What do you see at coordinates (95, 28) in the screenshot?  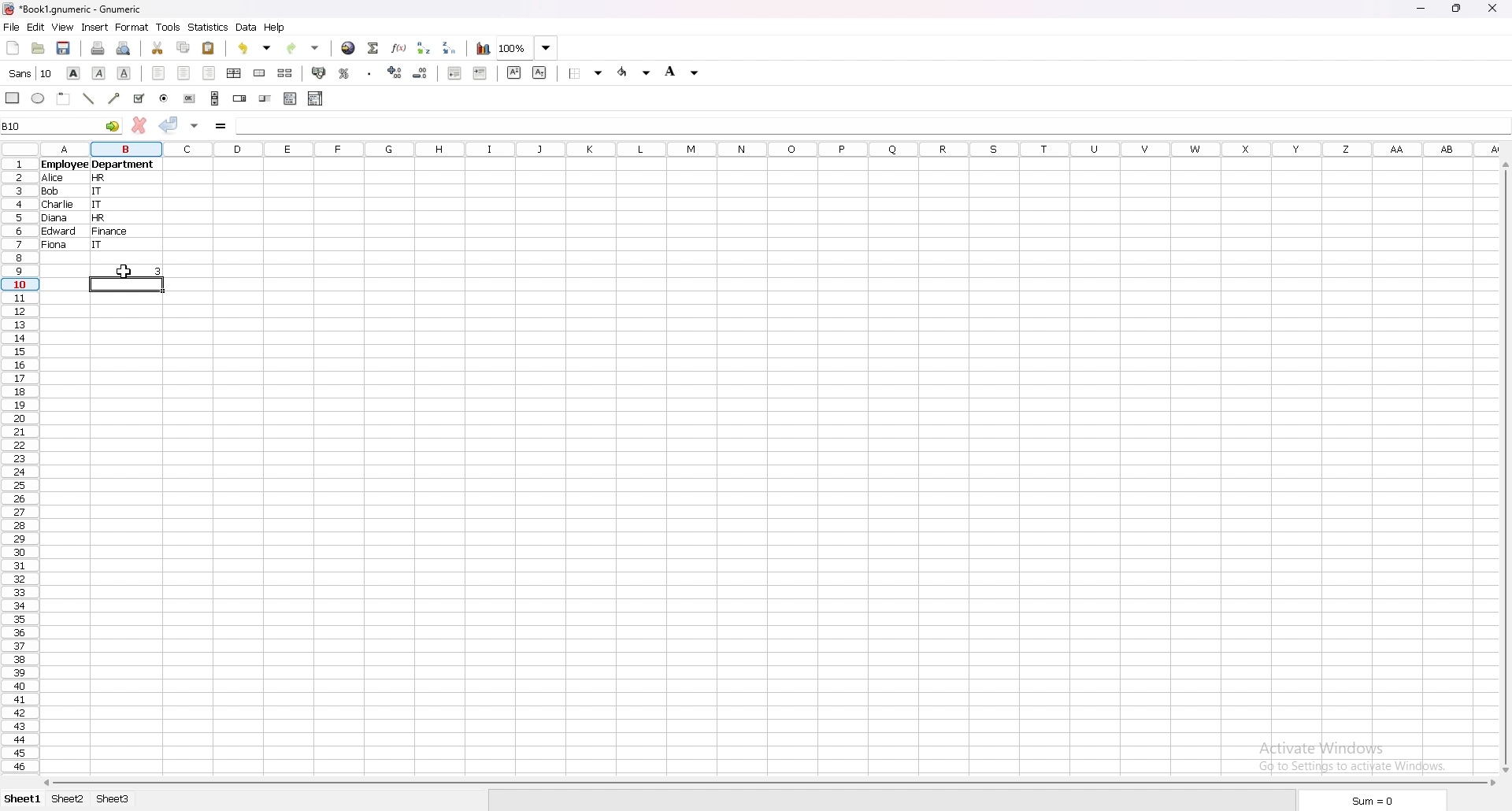 I see `insert` at bounding box center [95, 28].